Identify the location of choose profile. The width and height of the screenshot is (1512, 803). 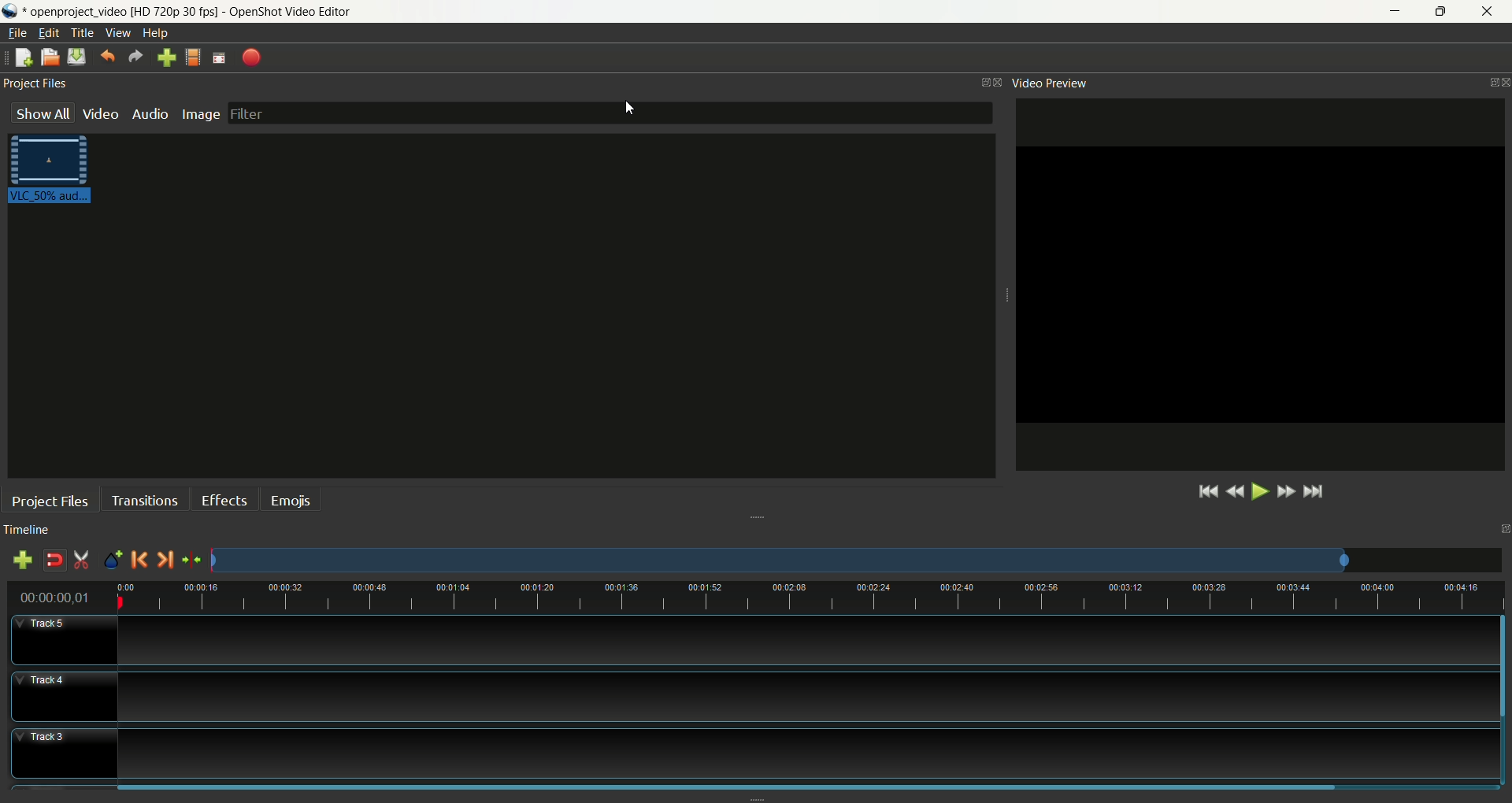
(193, 58).